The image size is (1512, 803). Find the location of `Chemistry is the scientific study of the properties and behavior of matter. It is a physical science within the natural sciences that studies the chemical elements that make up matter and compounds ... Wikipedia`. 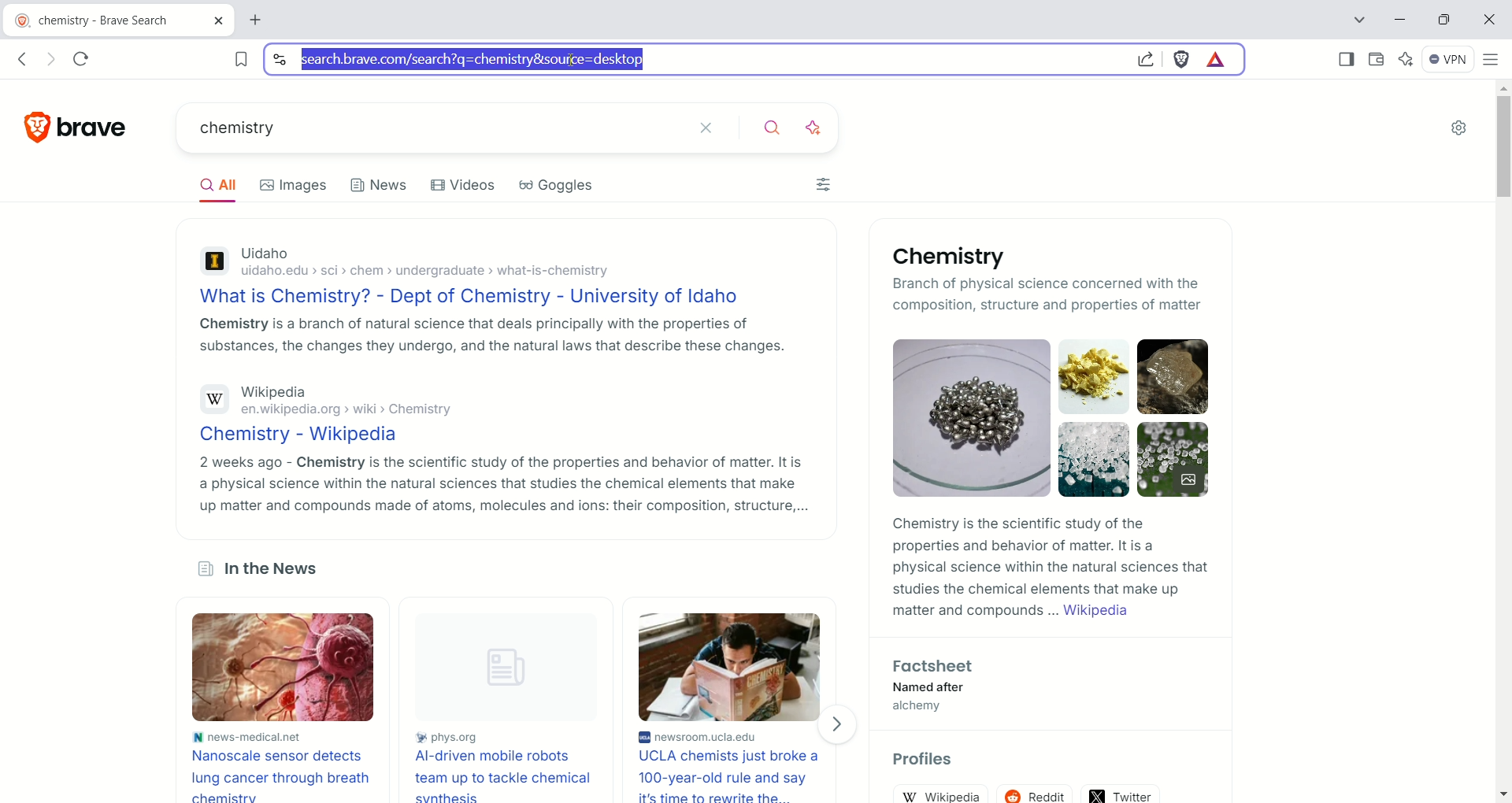

Chemistry is the scientific study of the properties and behavior of matter. It is a physical science within the natural sciences that studies the chemical elements that make up matter and compounds ... Wikipedia is located at coordinates (1051, 568).